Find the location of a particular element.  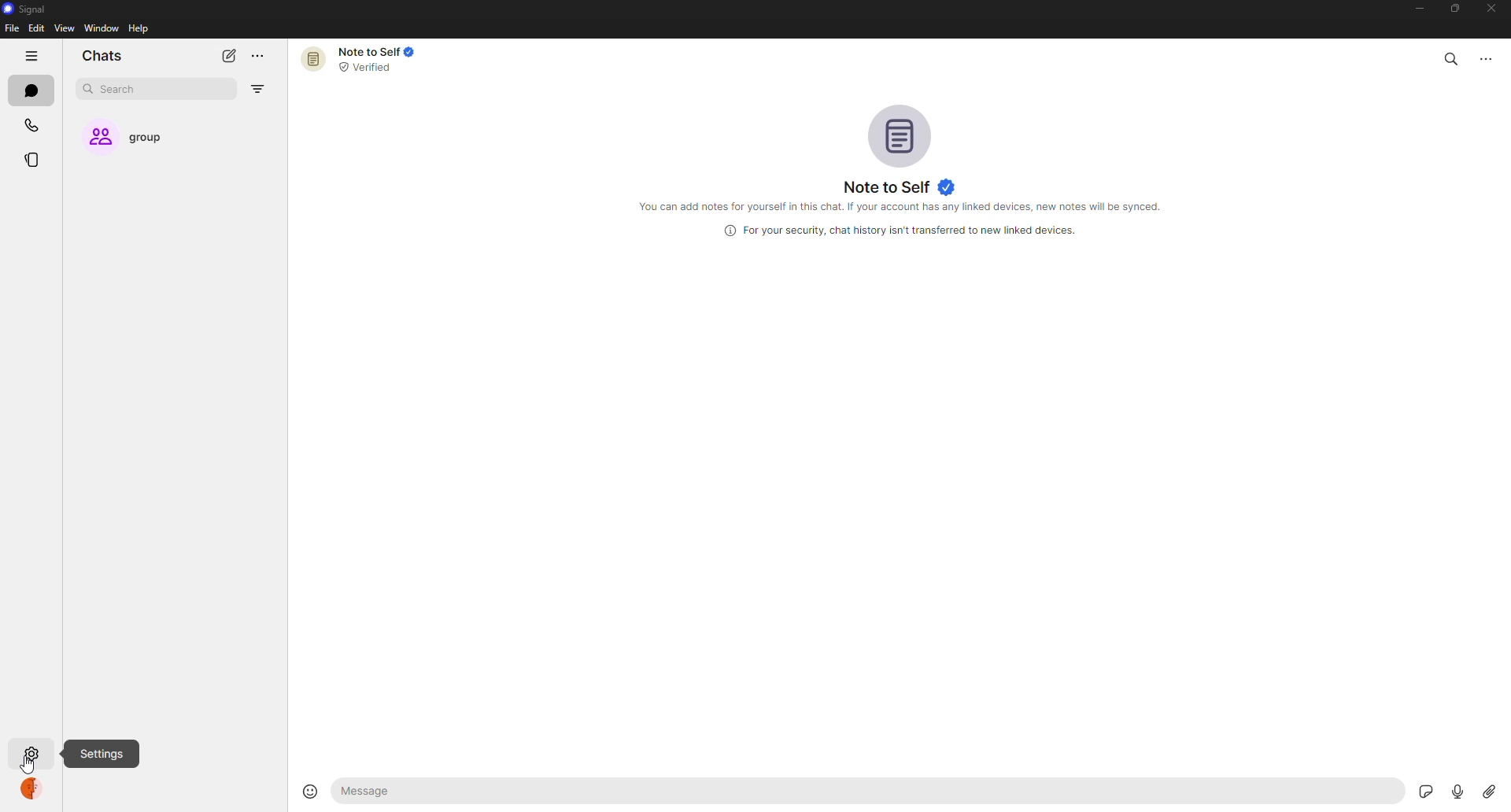

note to self is located at coordinates (365, 58).